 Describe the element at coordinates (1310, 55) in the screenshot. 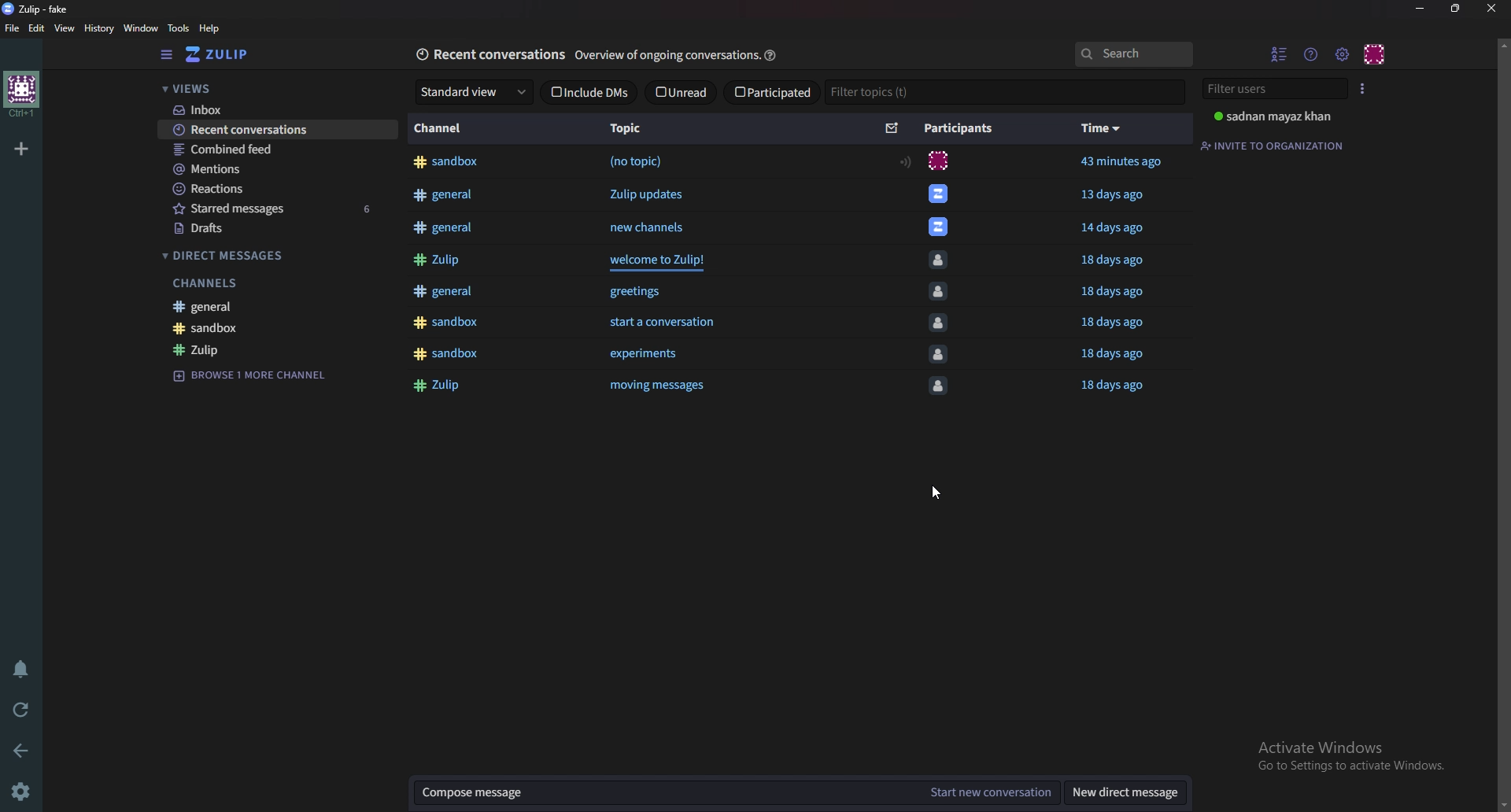

I see `help menu` at that location.